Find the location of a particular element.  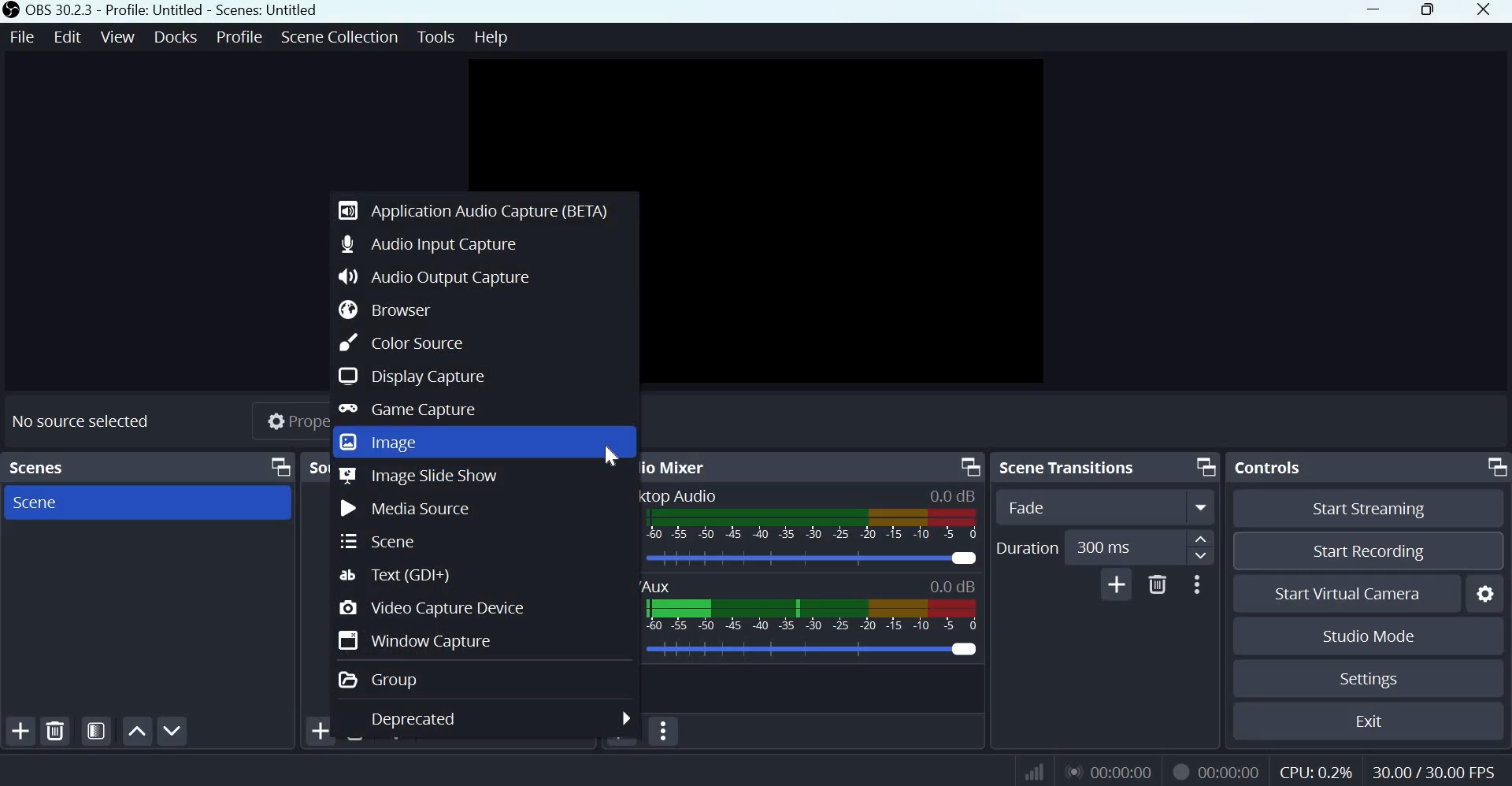

Start virtual camera is located at coordinates (1359, 591).